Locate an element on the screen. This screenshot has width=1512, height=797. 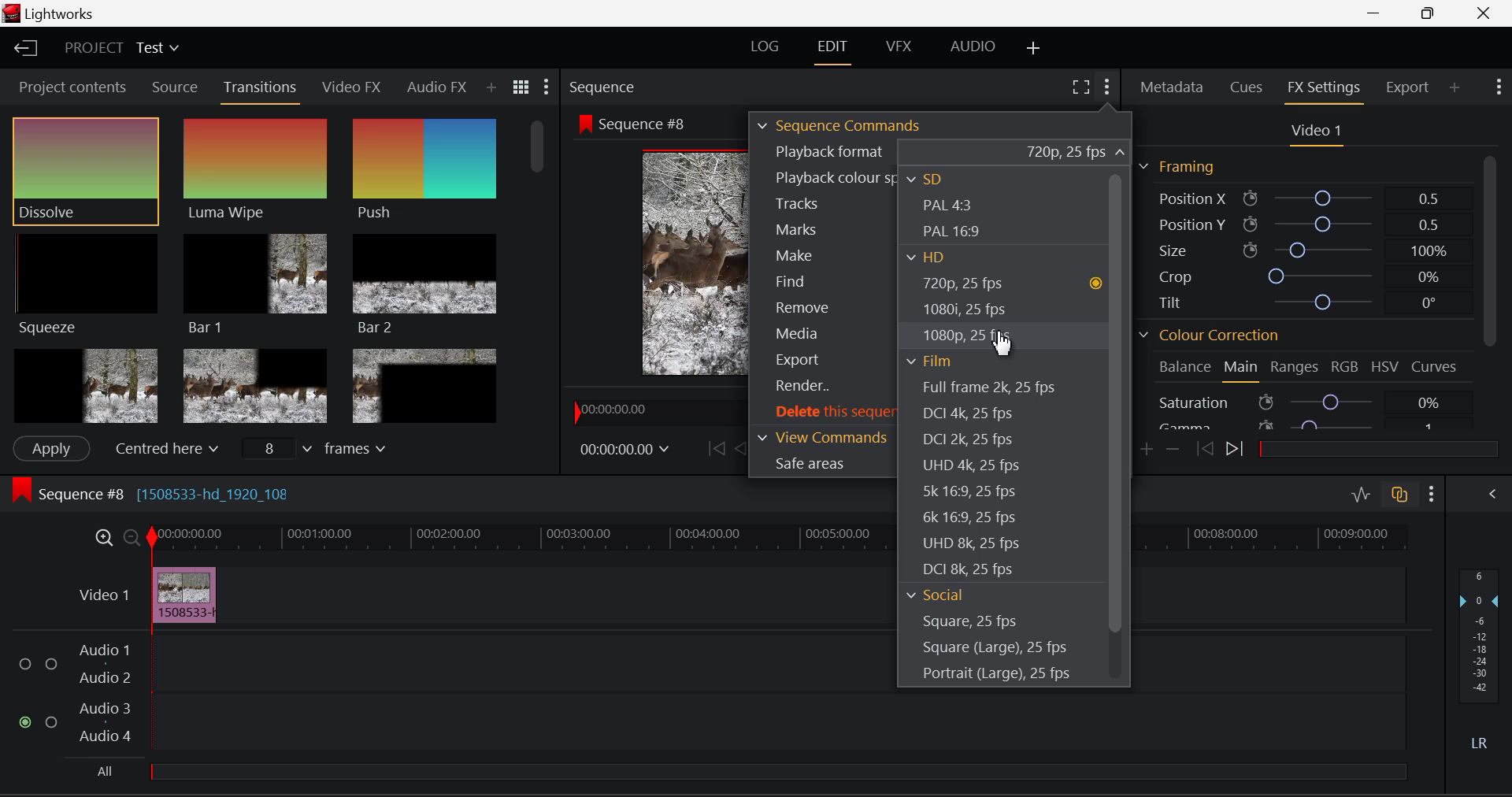
Audio Input Field is located at coordinates (435, 693).